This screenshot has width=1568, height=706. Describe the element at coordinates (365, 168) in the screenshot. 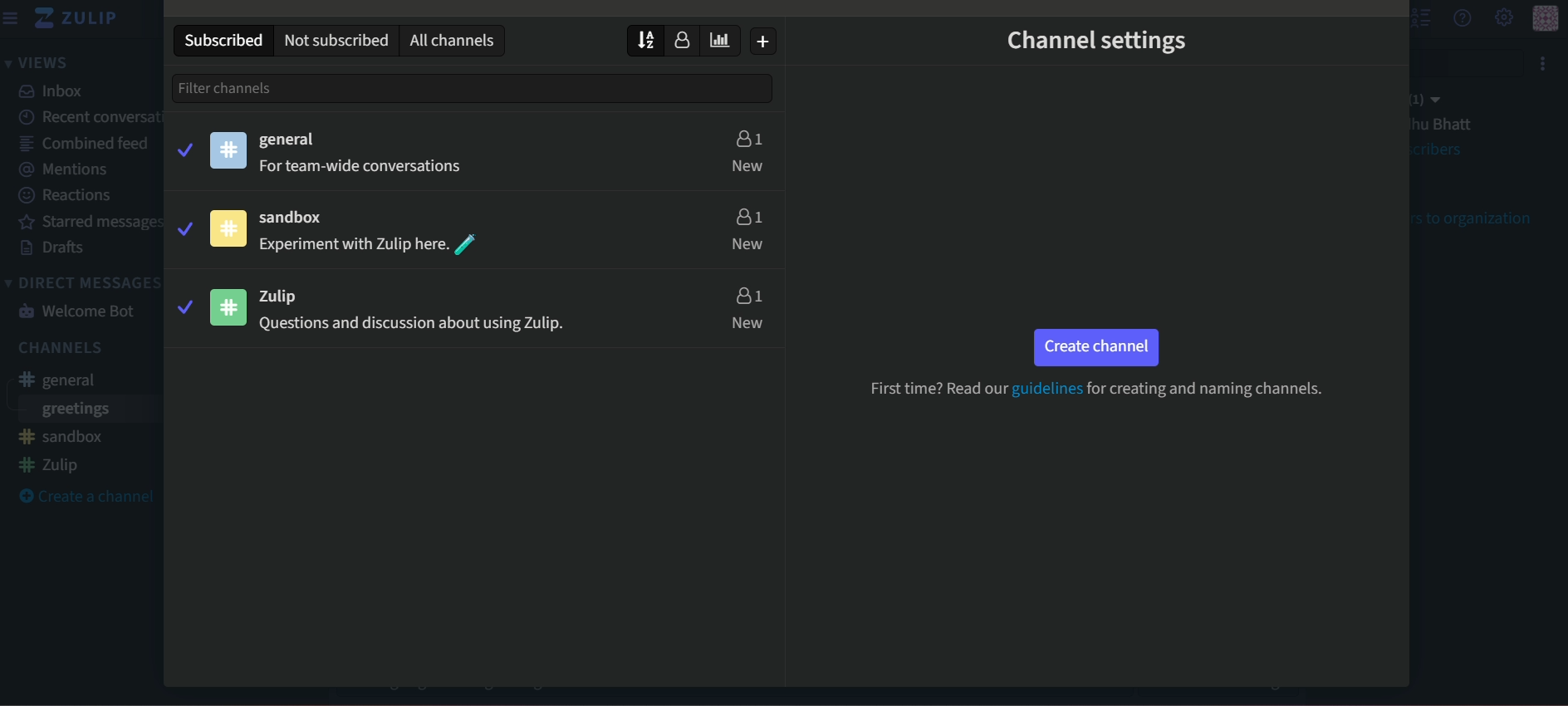

I see `text` at that location.